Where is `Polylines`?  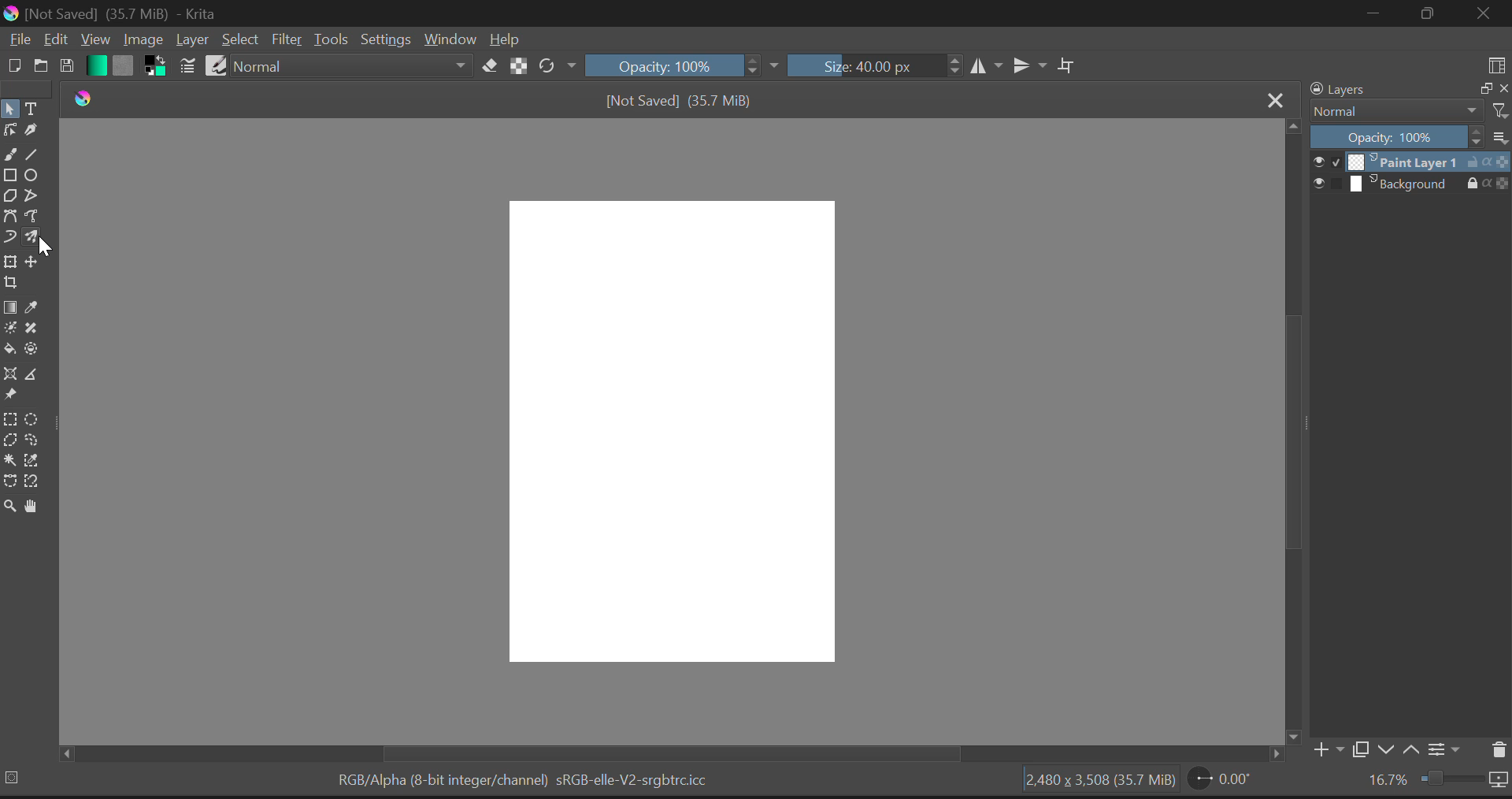 Polylines is located at coordinates (32, 195).